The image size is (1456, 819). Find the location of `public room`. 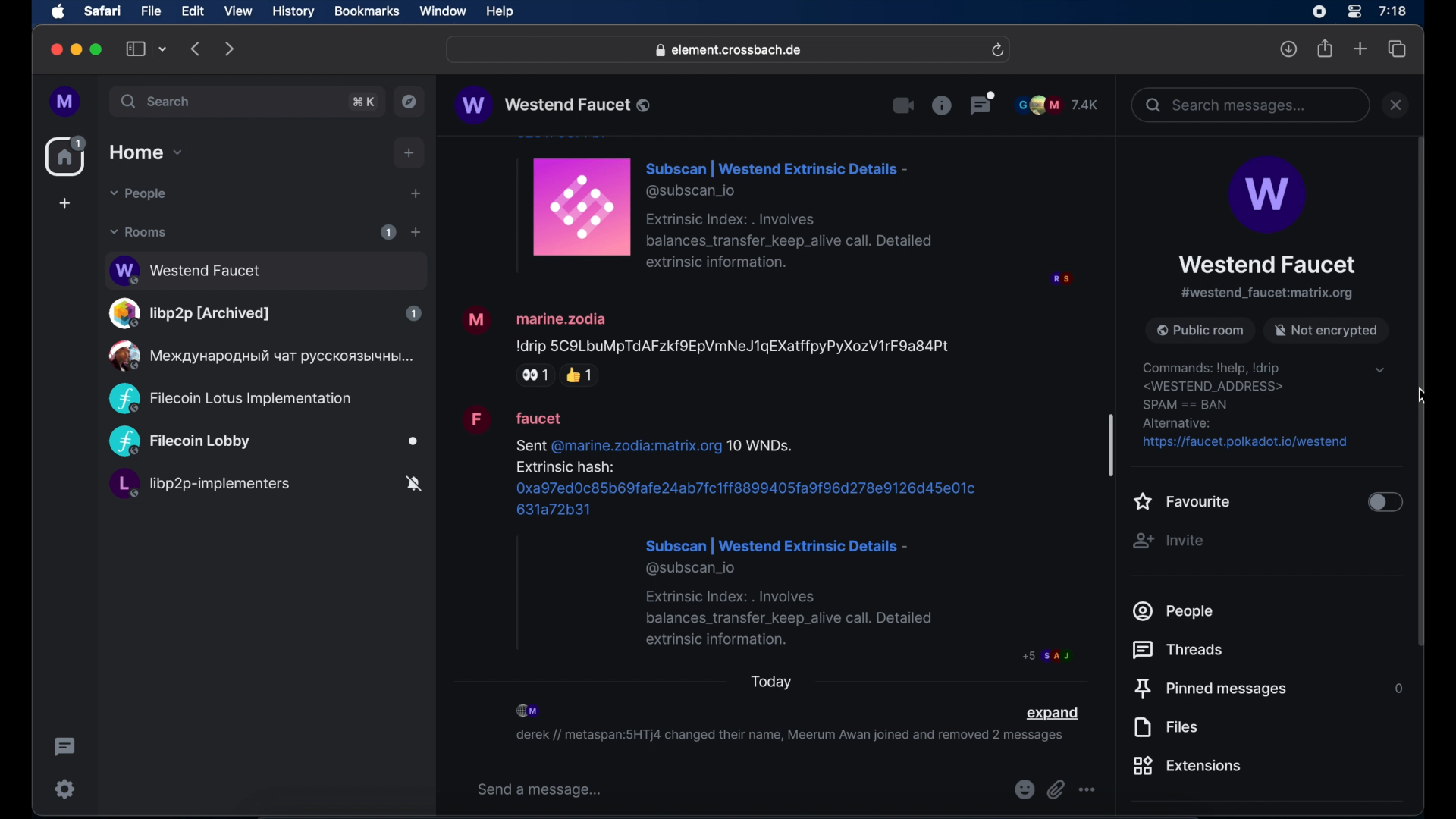

public room is located at coordinates (259, 356).